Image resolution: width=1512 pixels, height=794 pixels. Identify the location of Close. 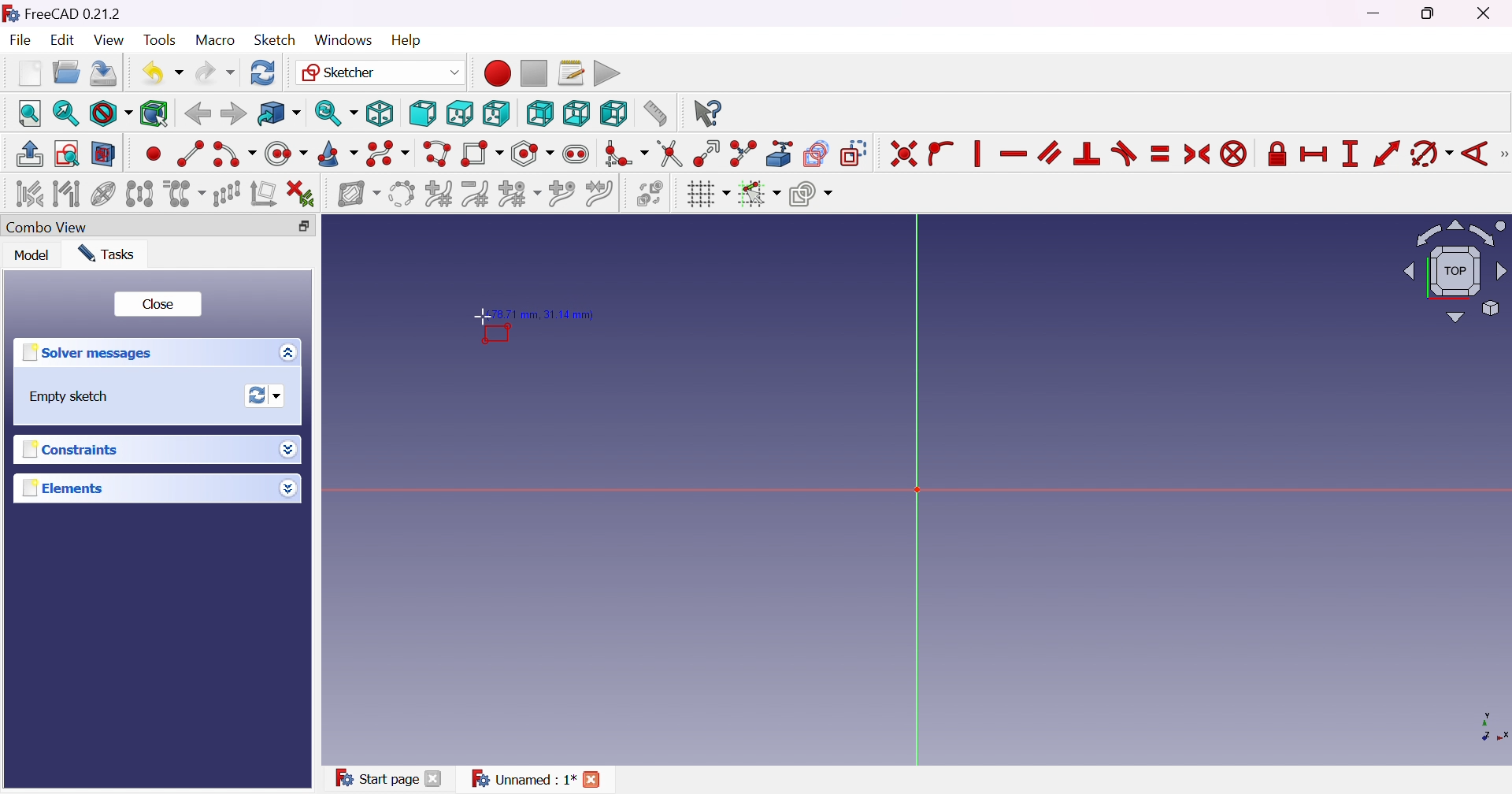
(598, 777).